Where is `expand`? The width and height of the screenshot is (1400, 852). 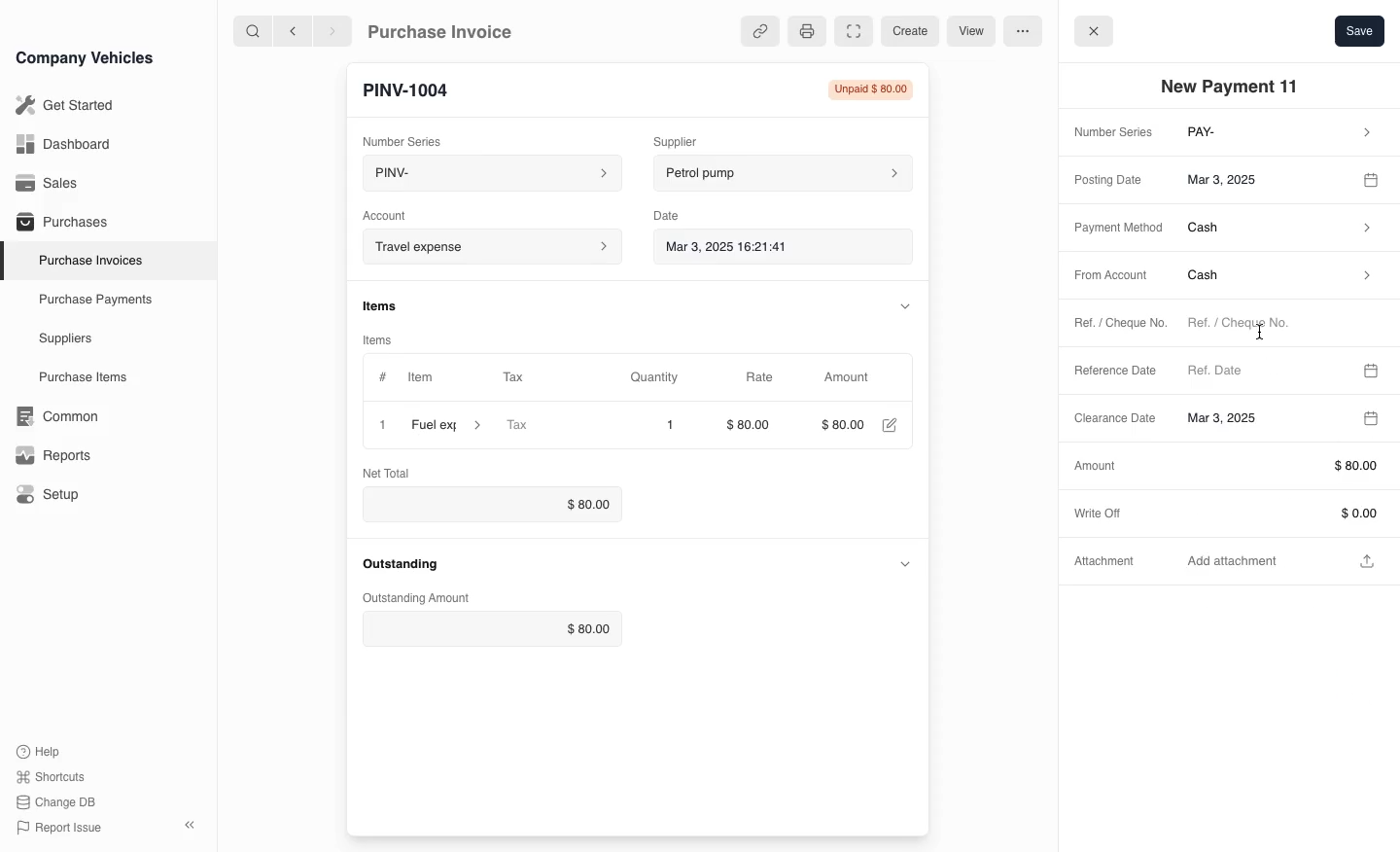 expand is located at coordinates (905, 563).